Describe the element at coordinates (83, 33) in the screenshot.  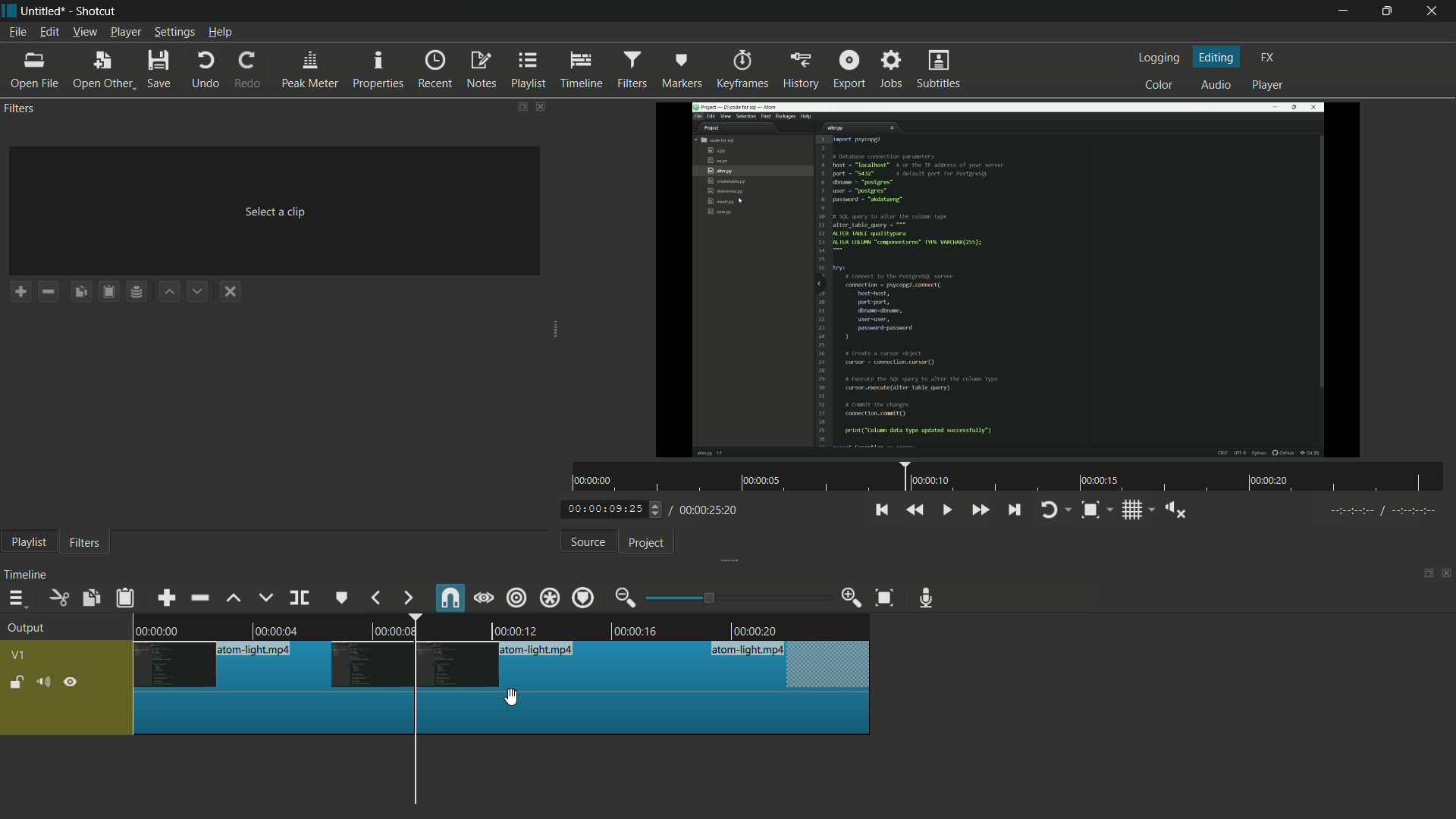
I see `view menu` at that location.